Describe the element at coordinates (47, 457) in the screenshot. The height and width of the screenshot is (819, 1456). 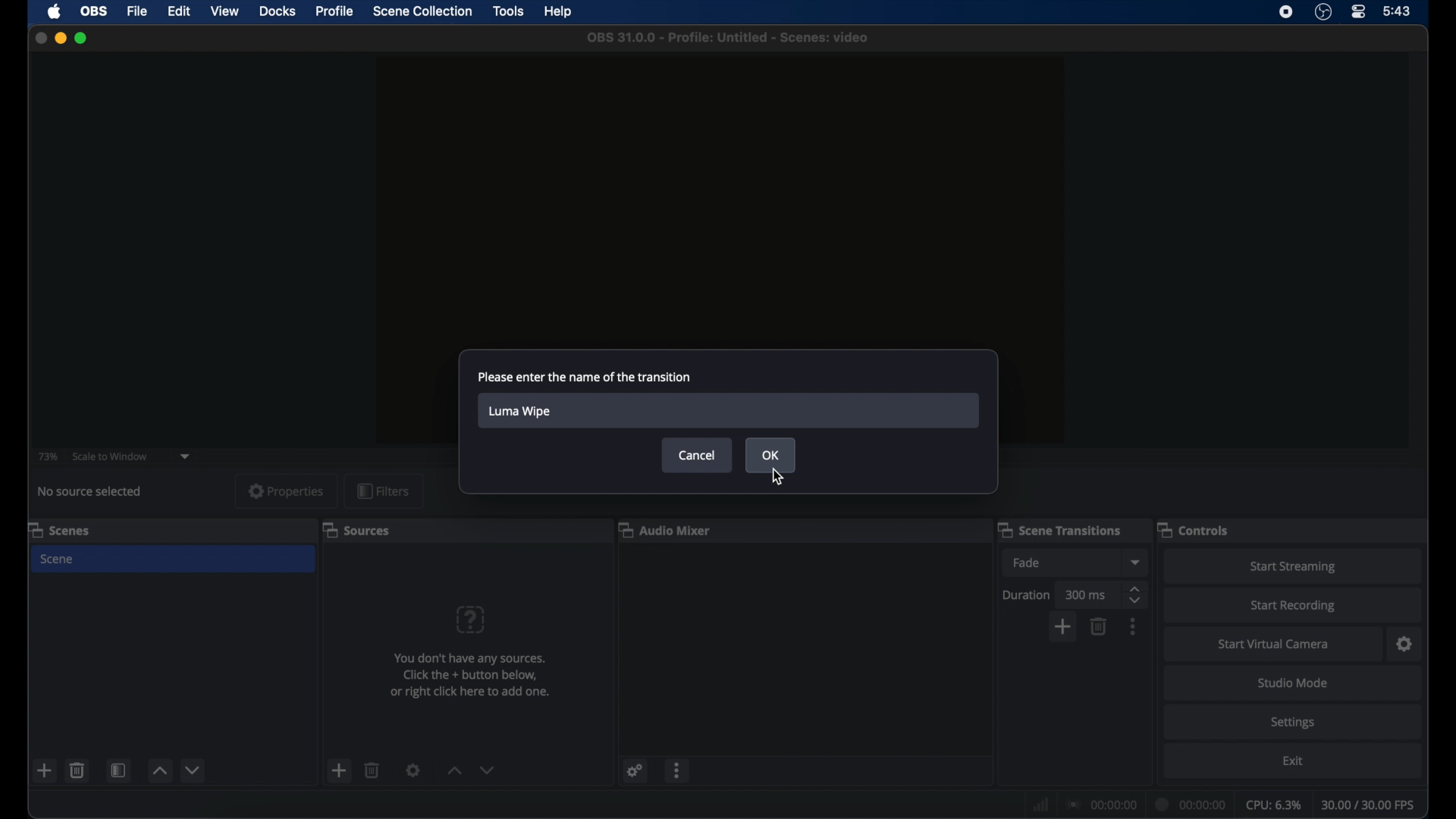
I see `73%` at that location.